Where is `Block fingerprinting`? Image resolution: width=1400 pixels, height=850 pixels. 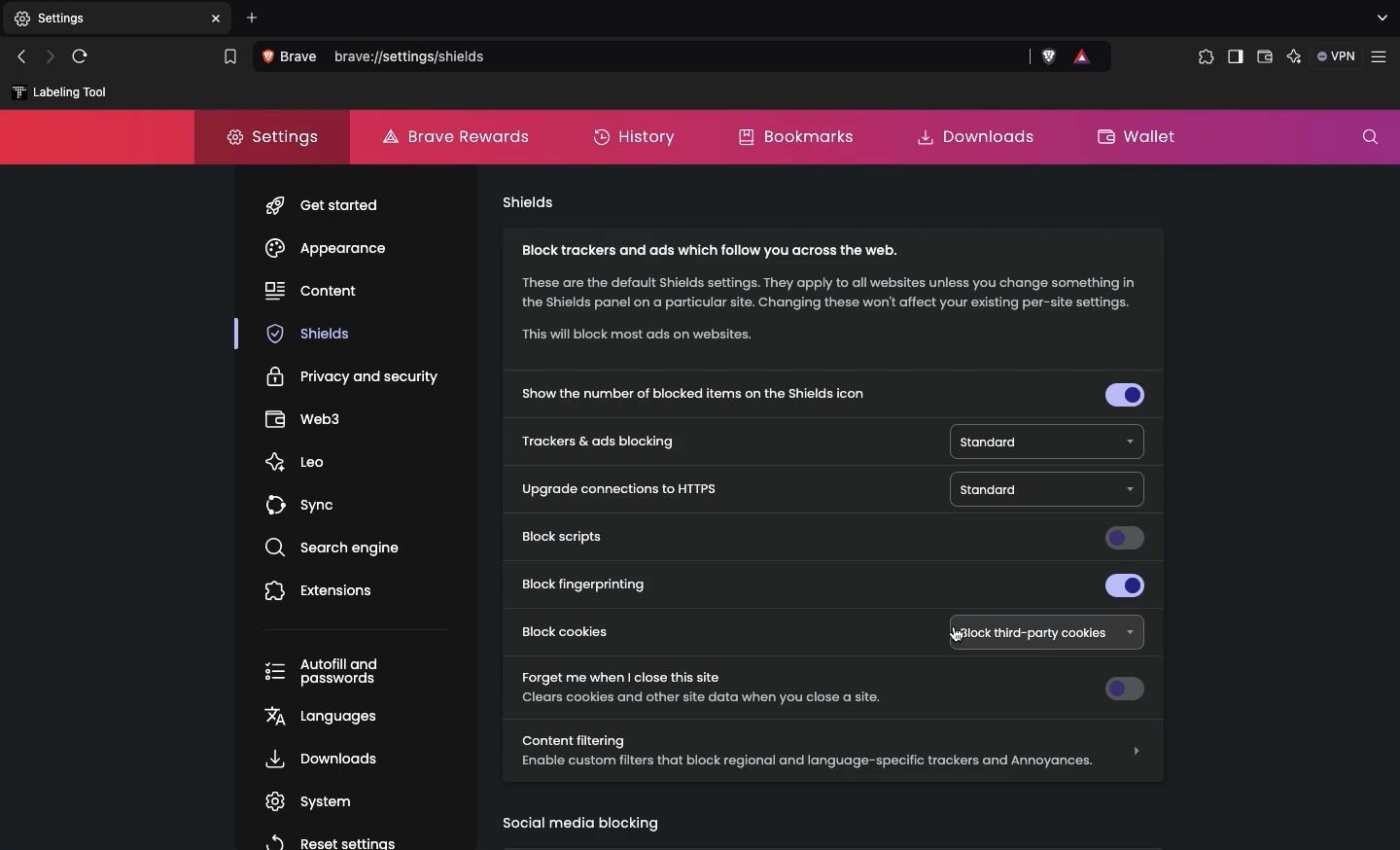
Block fingerprinting is located at coordinates (834, 586).